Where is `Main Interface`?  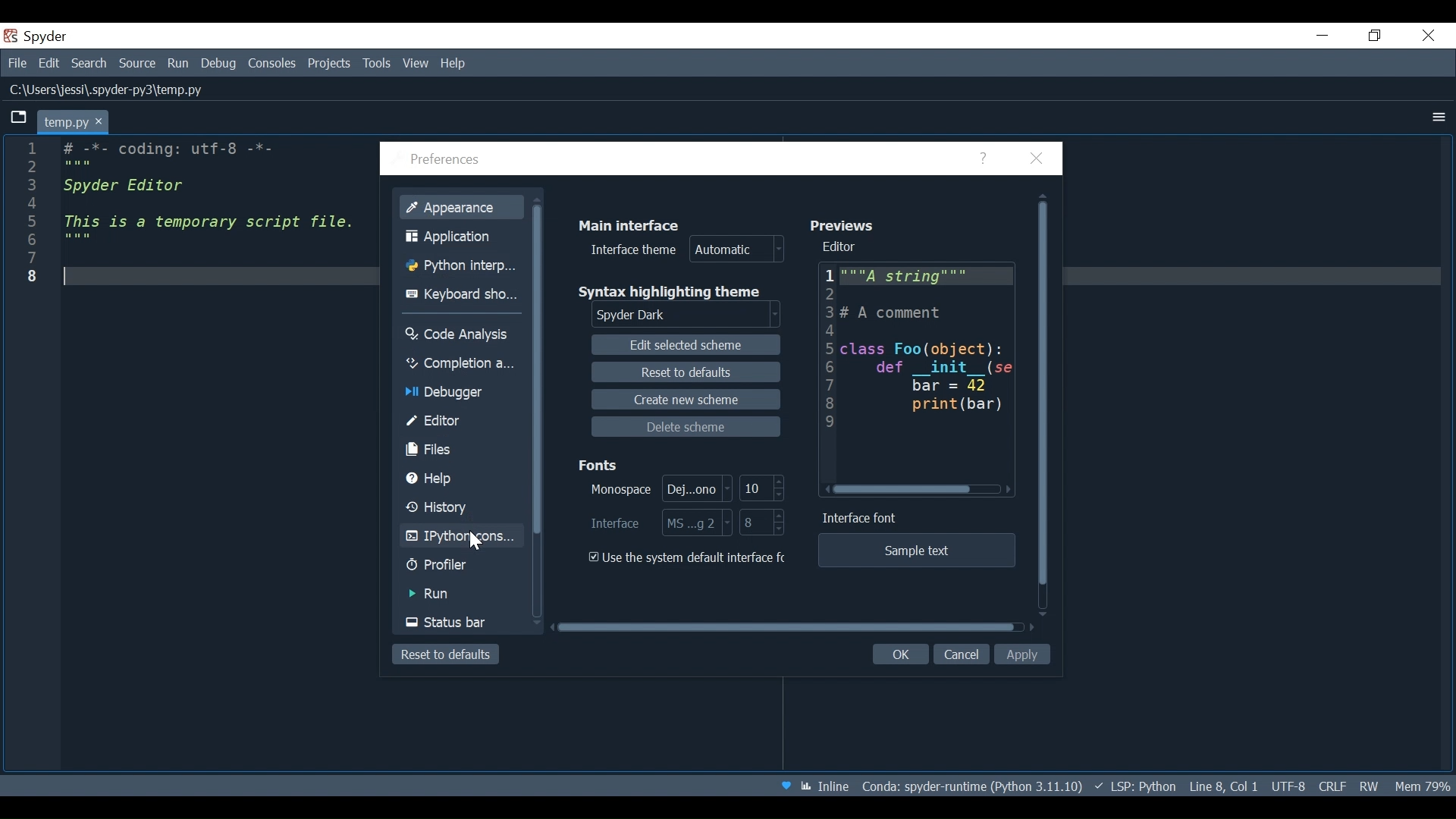
Main Interface is located at coordinates (629, 224).